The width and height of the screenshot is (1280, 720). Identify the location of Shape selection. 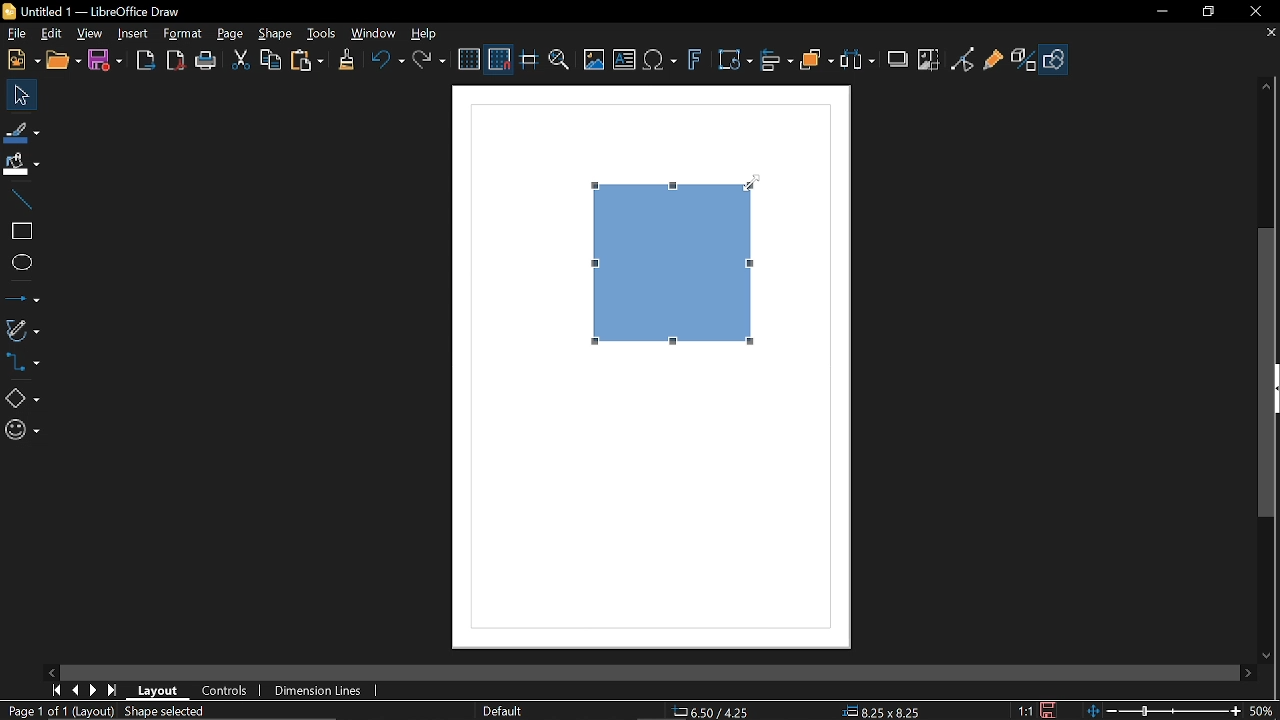
(174, 712).